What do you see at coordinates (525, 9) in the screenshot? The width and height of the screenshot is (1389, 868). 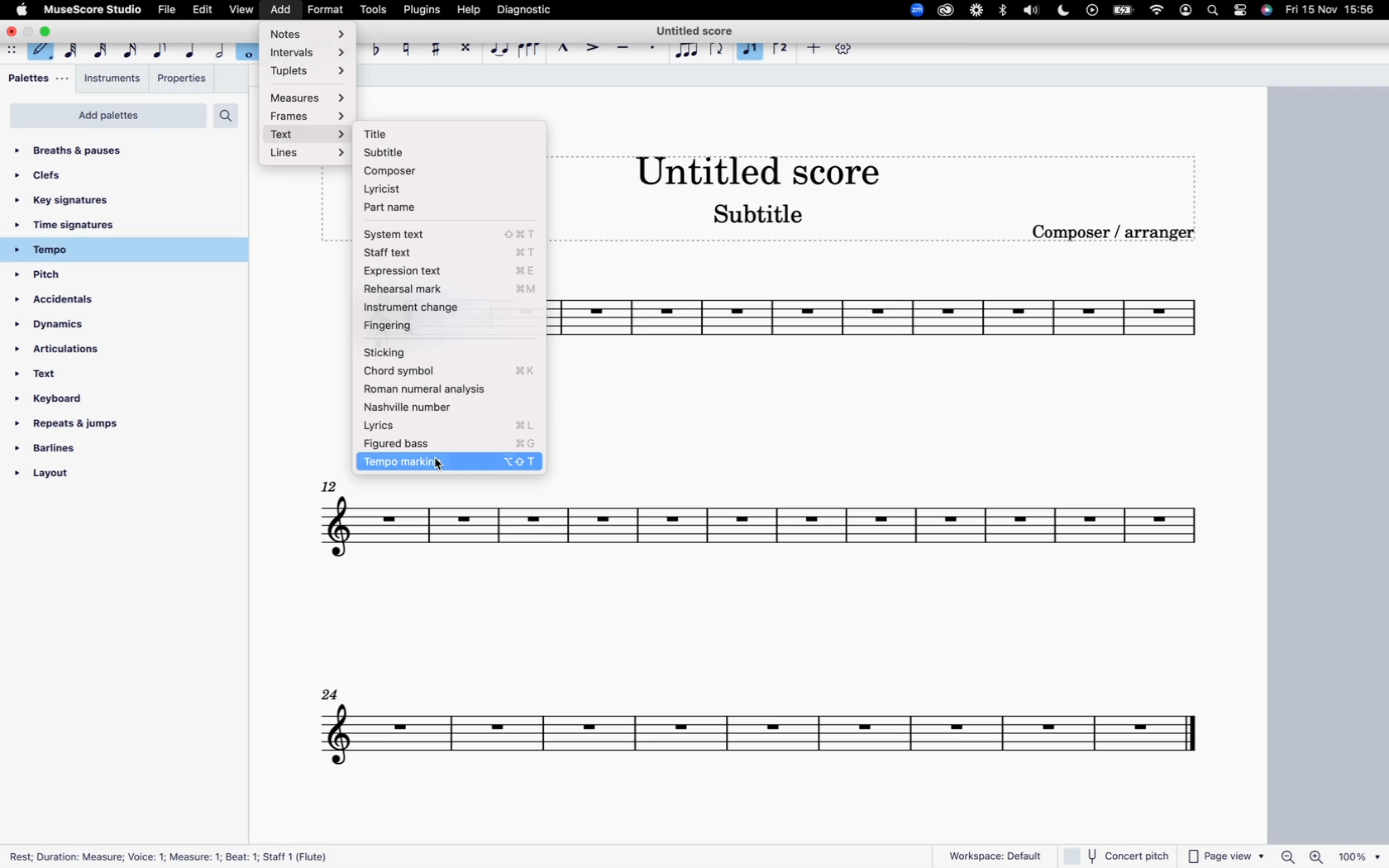 I see `diagnostic` at bounding box center [525, 9].